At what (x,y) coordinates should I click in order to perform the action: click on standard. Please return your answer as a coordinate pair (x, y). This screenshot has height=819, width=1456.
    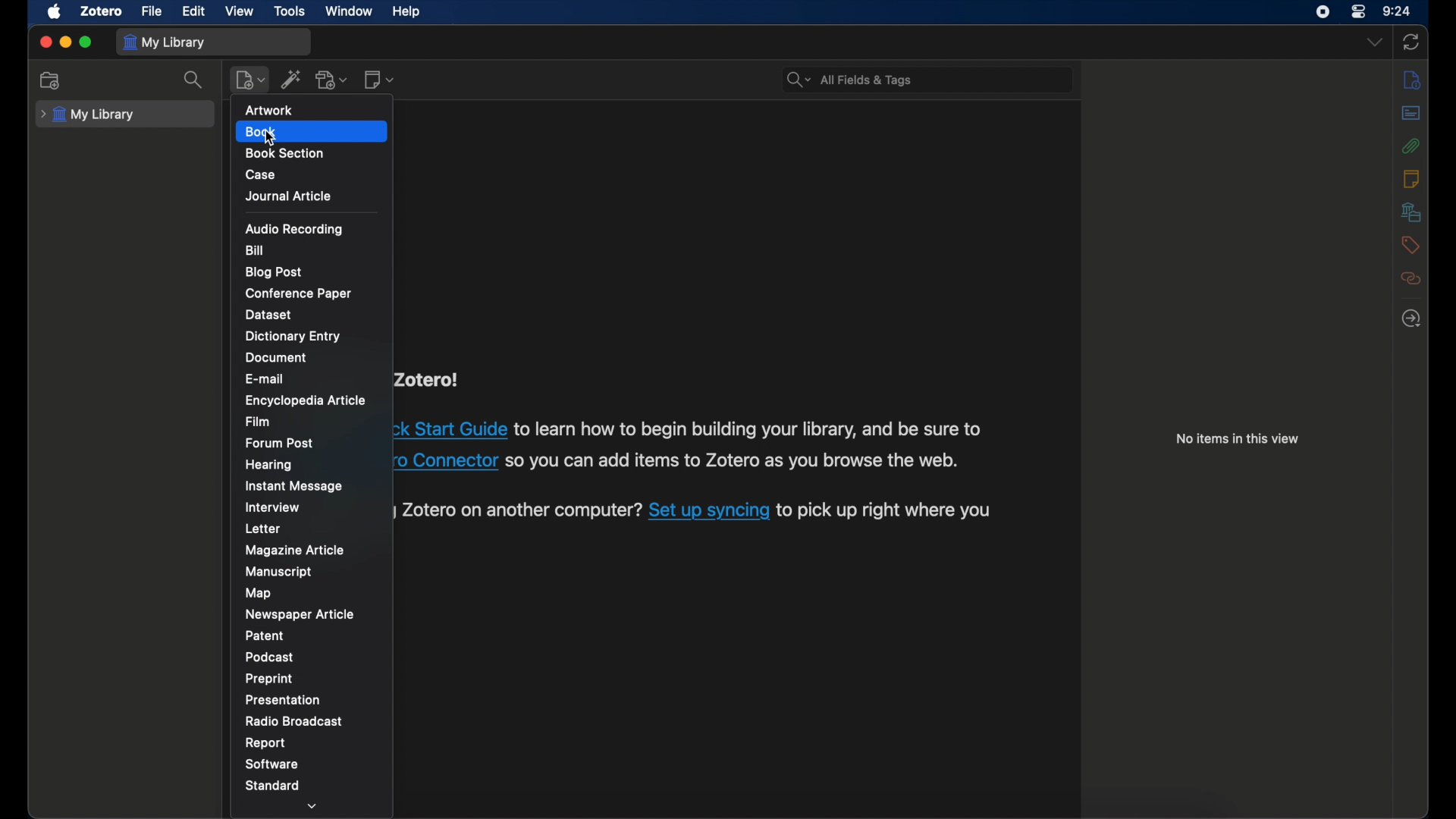
    Looking at the image, I should click on (273, 785).